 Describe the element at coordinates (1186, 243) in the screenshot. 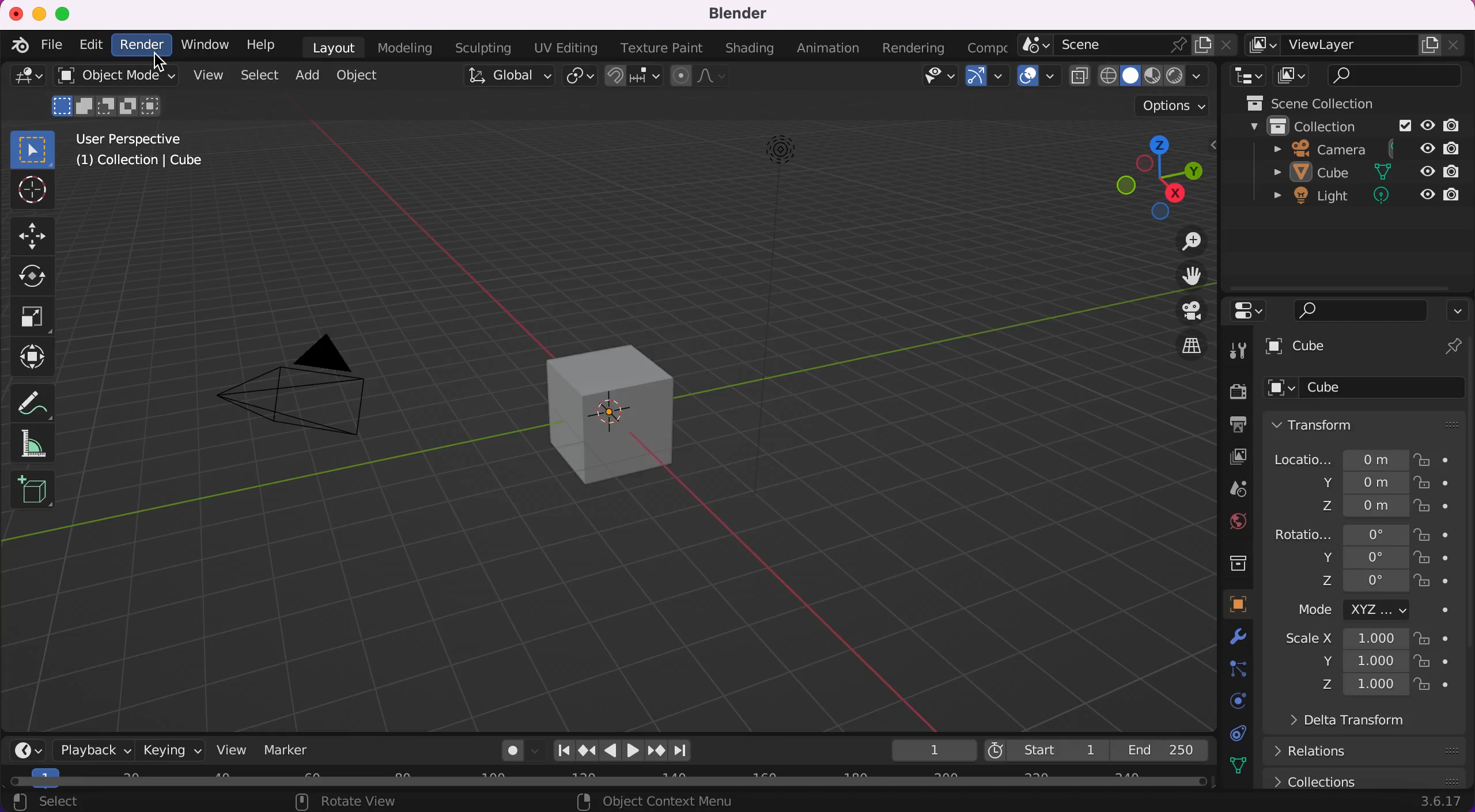

I see `zoom in/out` at that location.